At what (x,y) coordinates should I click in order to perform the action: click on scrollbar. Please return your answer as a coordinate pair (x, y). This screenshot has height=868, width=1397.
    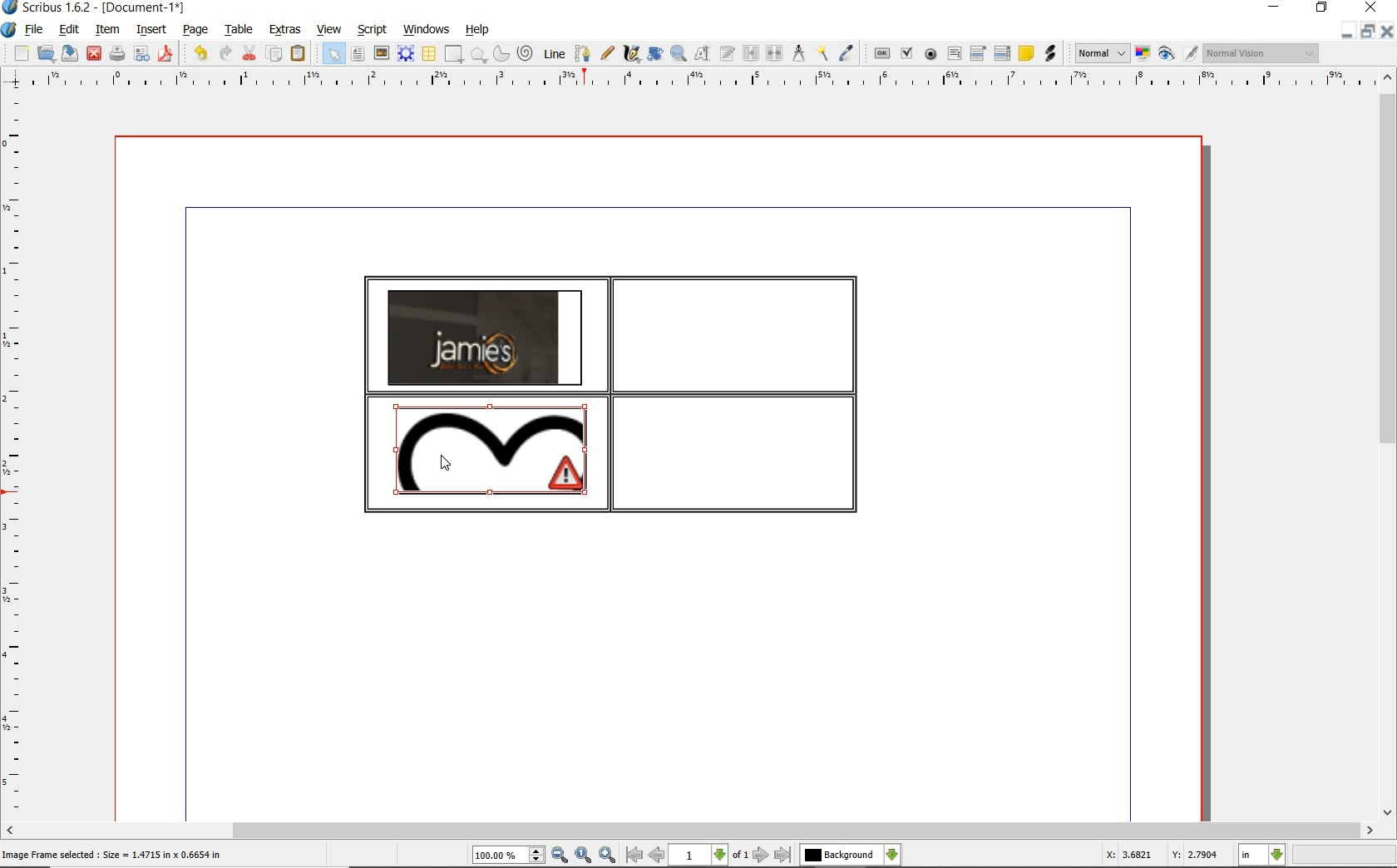
    Looking at the image, I should click on (689, 831).